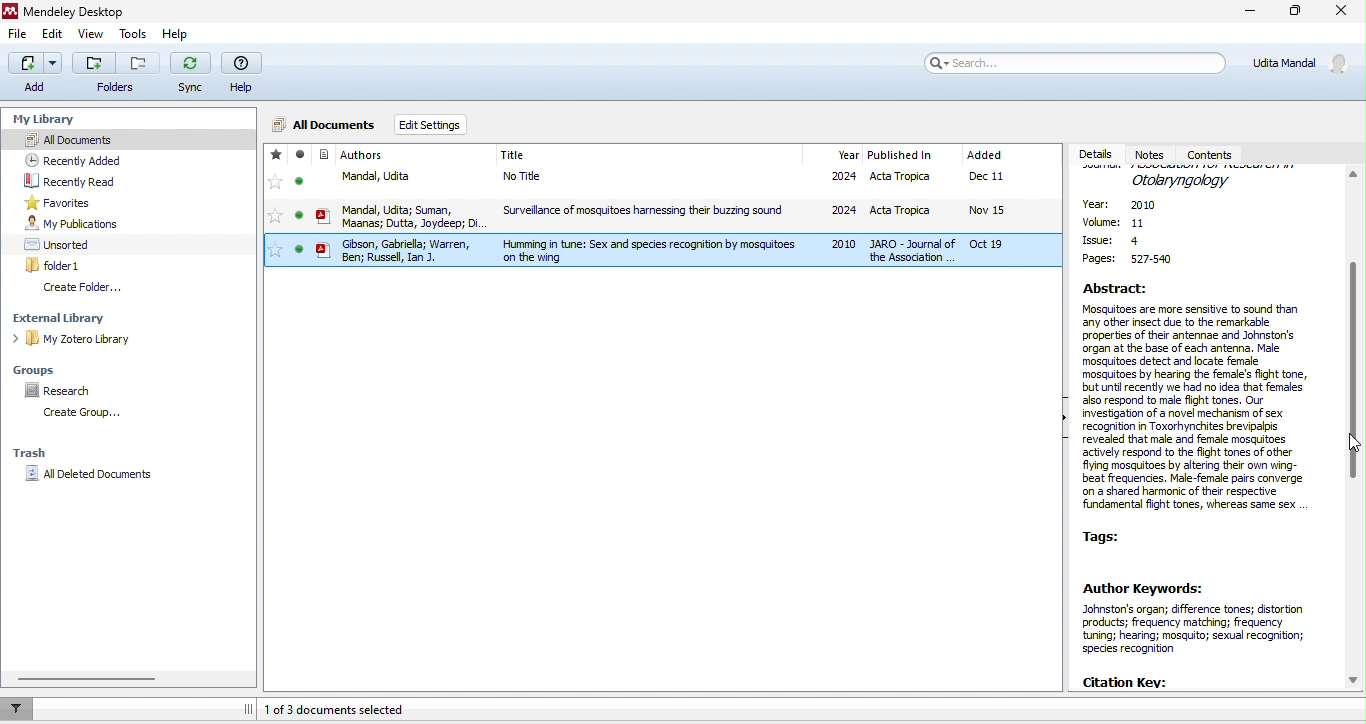 The image size is (1366, 724). Describe the element at coordinates (33, 74) in the screenshot. I see `add` at that location.